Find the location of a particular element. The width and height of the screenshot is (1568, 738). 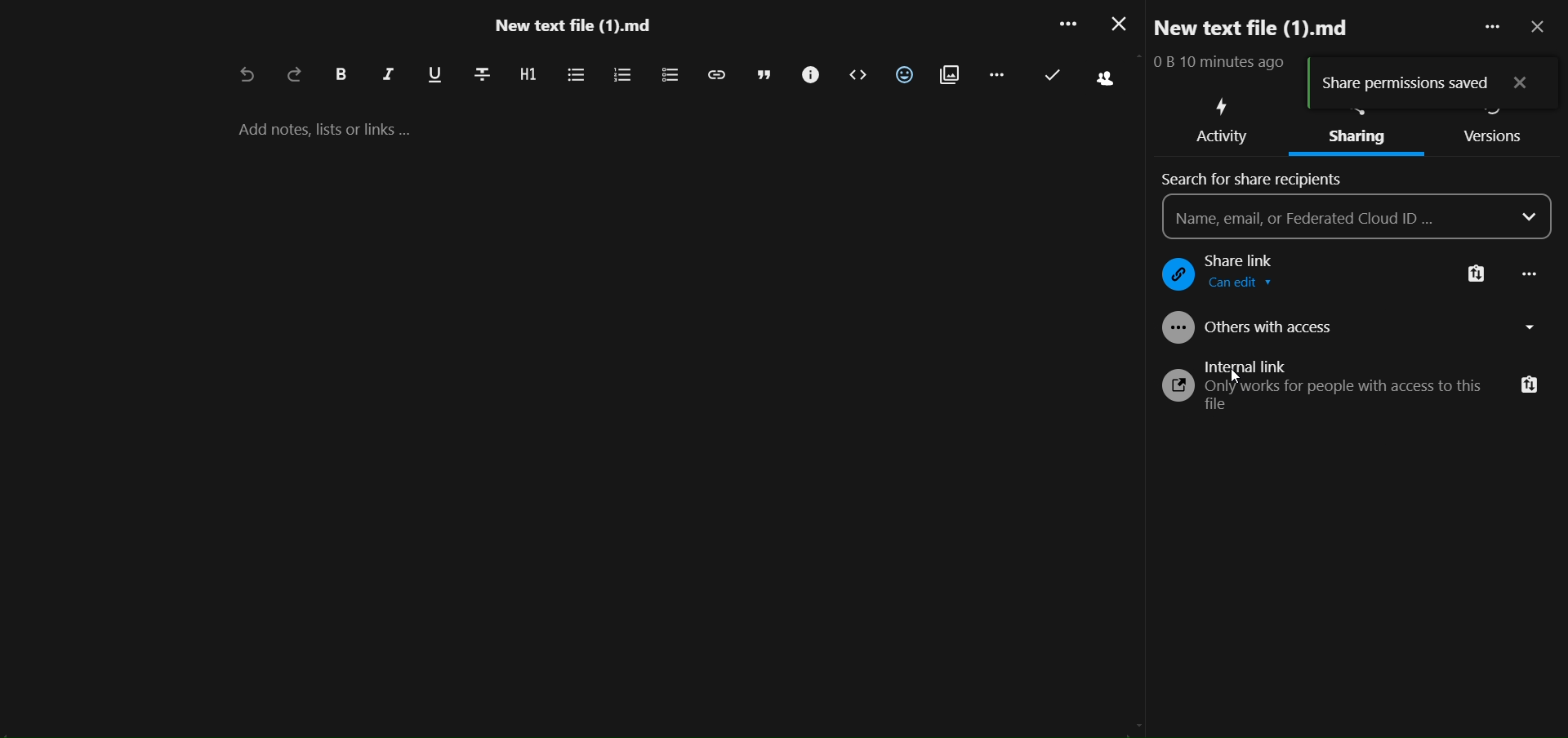

insert attachment is located at coordinates (949, 76).